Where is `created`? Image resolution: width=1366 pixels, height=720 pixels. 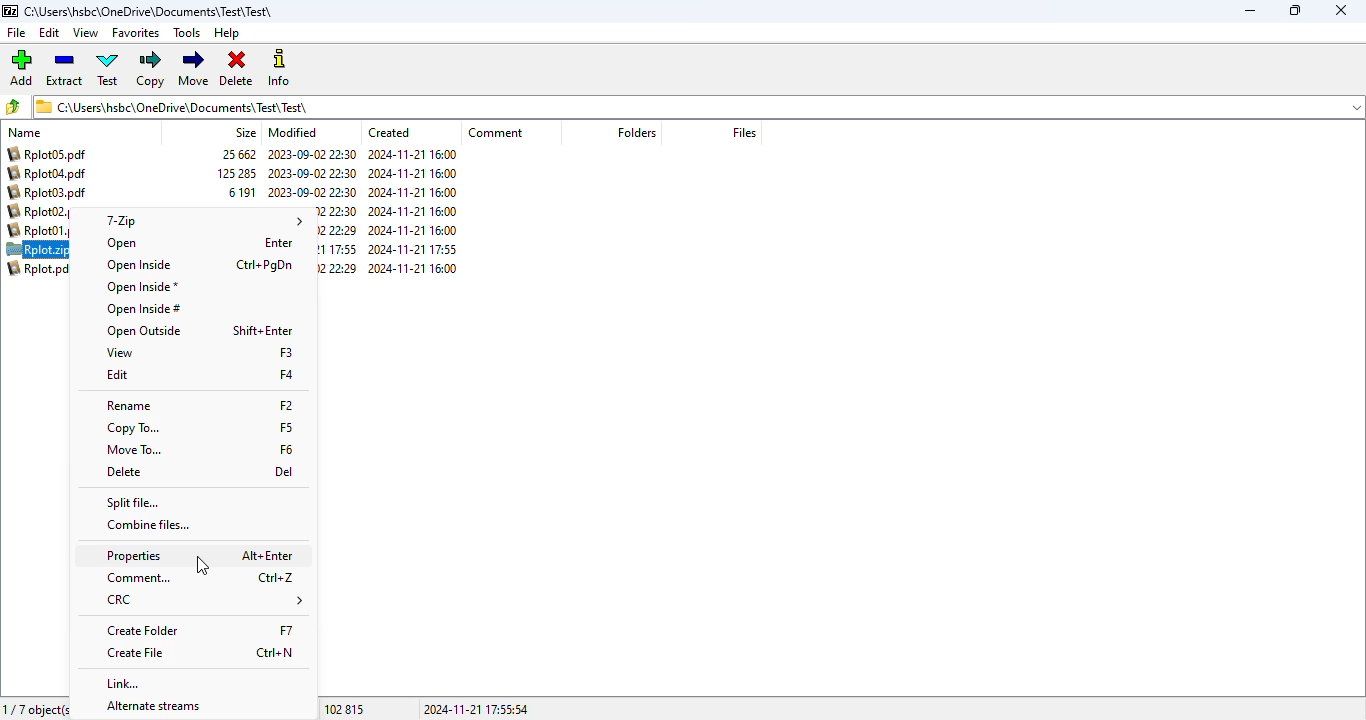
created is located at coordinates (388, 132).